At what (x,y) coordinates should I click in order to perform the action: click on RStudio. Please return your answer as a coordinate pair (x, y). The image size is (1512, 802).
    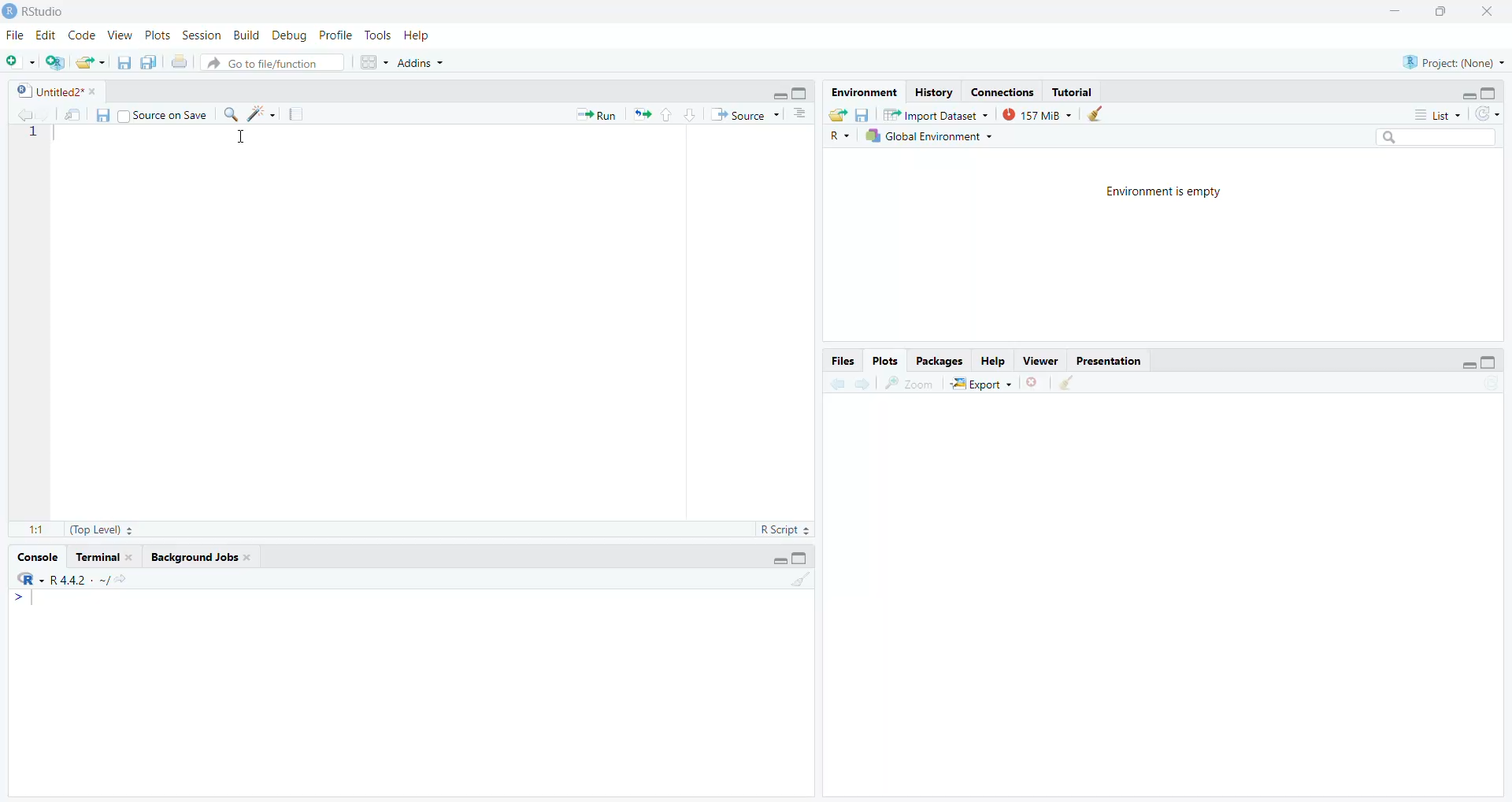
    Looking at the image, I should click on (36, 11).